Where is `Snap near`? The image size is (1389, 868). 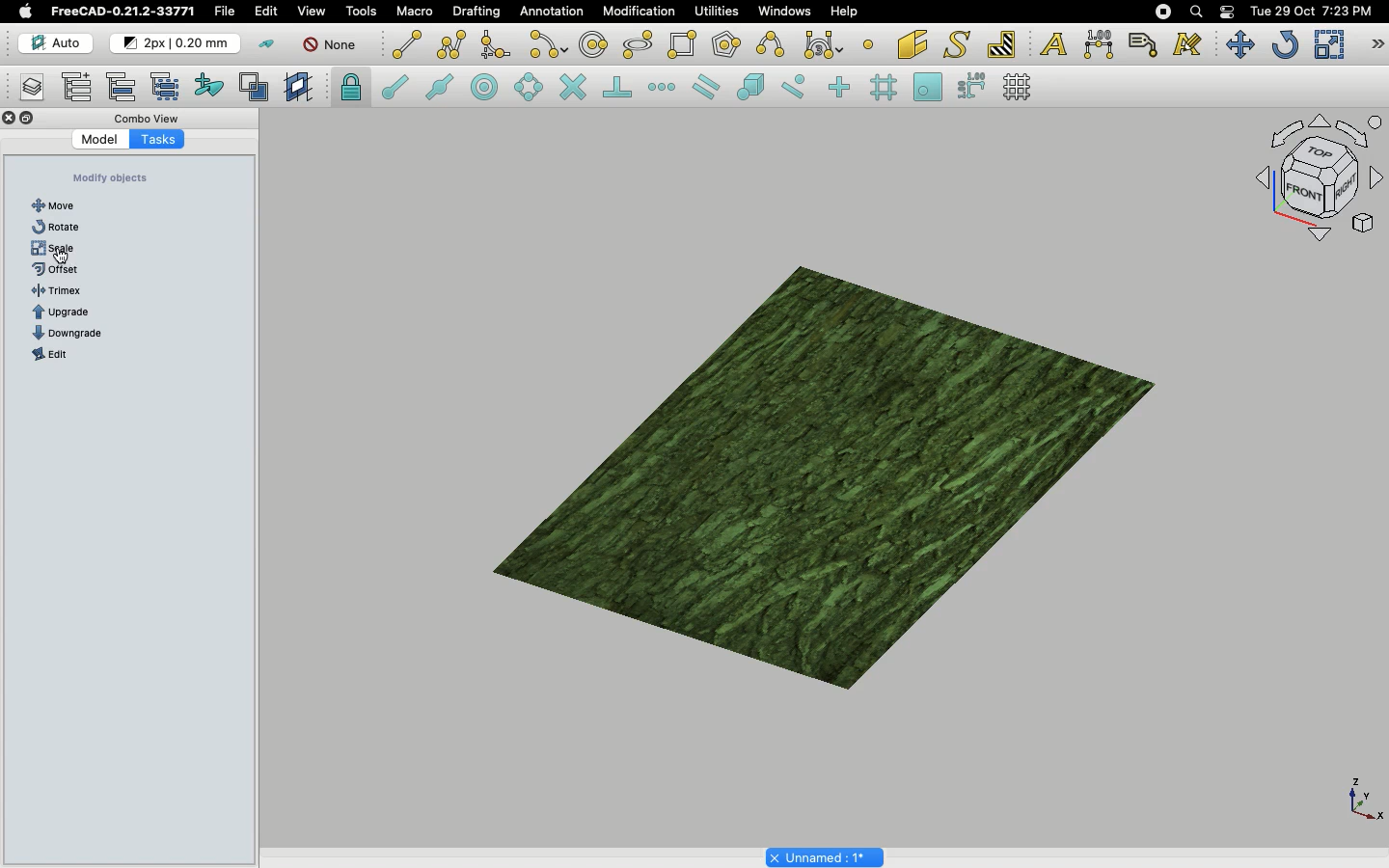
Snap near is located at coordinates (793, 88).